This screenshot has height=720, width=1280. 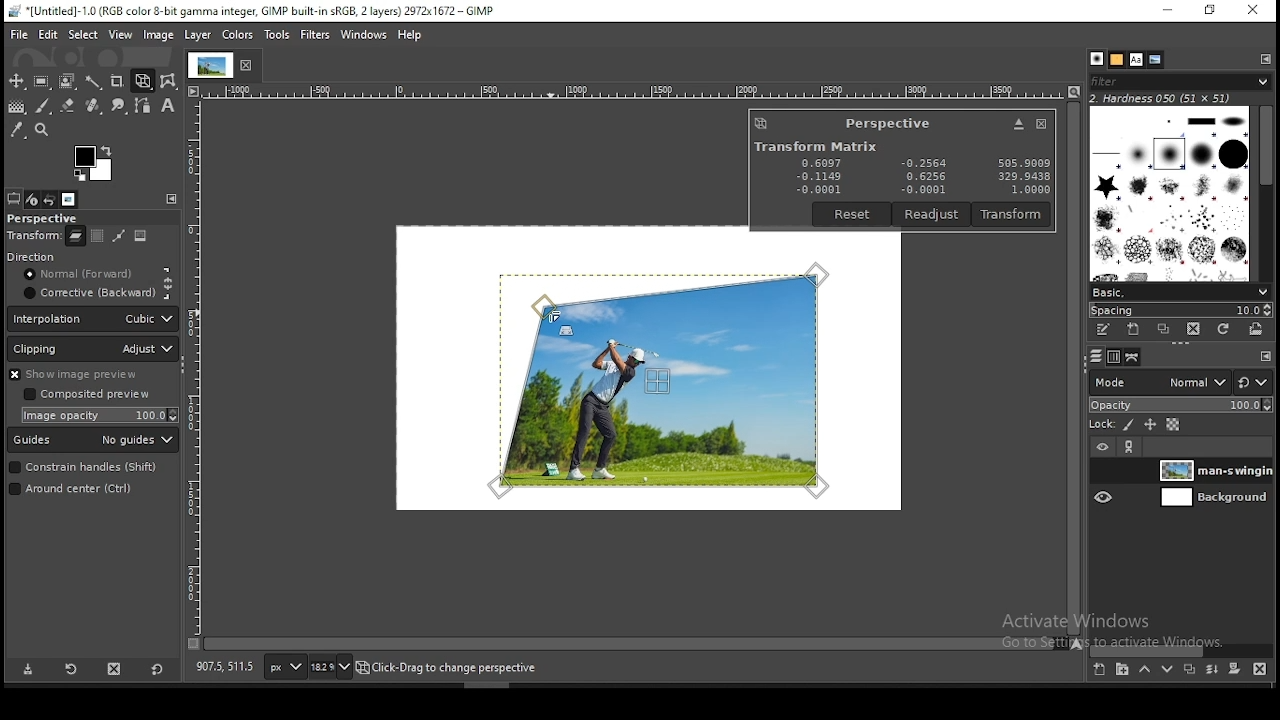 What do you see at coordinates (93, 108) in the screenshot?
I see `heal tool` at bounding box center [93, 108].